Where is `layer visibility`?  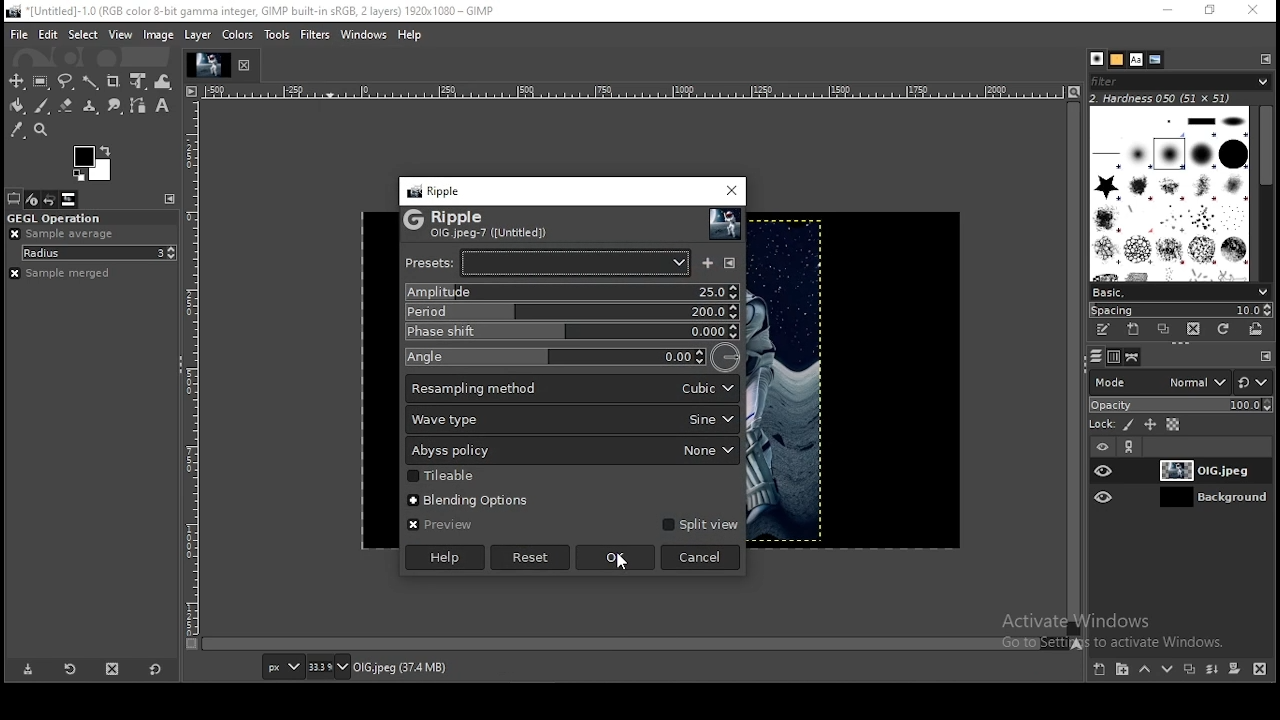
layer visibility is located at coordinates (1102, 447).